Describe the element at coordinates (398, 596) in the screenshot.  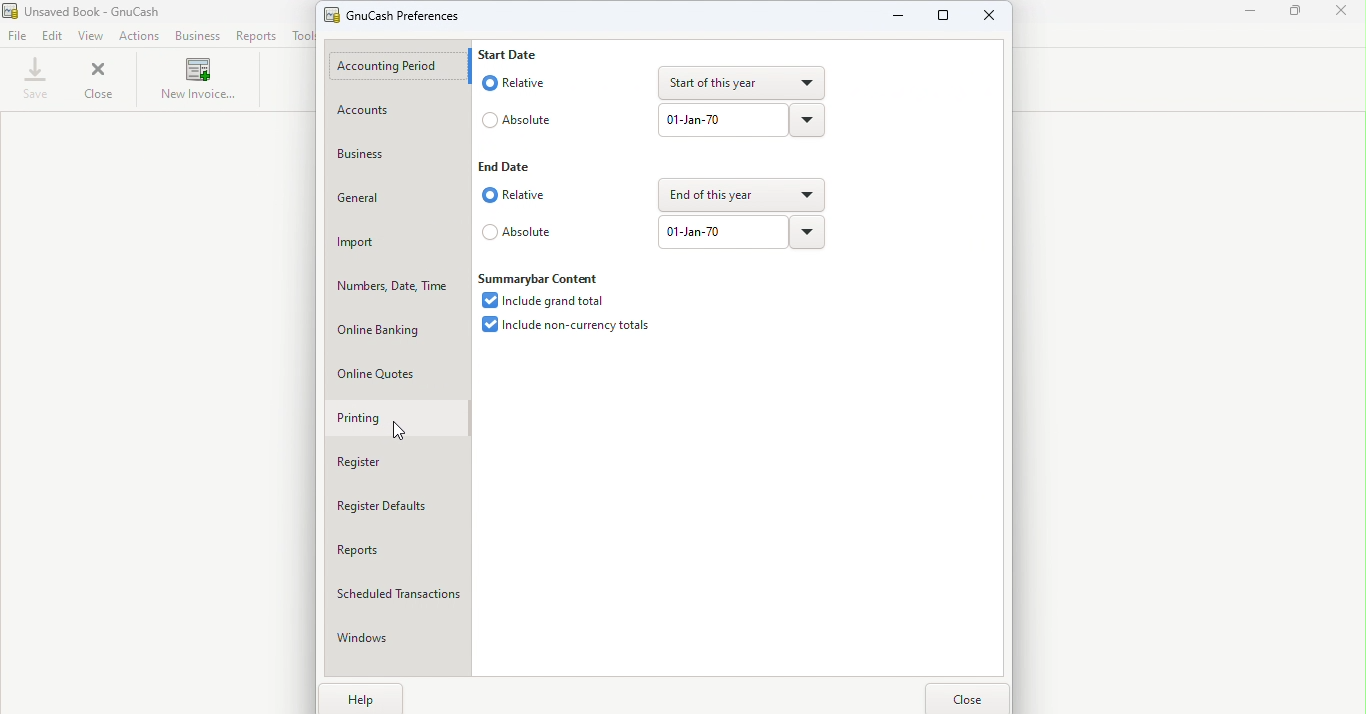
I see `Scheduled Transactions` at that location.